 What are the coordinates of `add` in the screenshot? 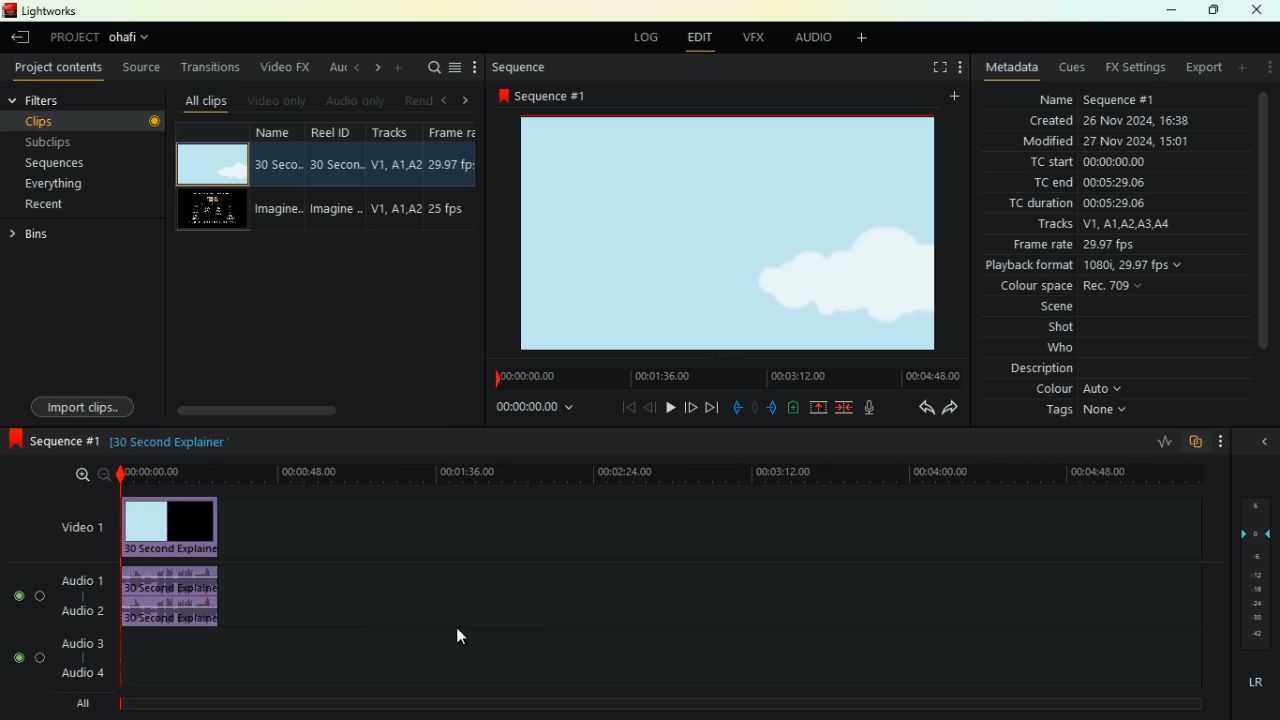 It's located at (952, 99).